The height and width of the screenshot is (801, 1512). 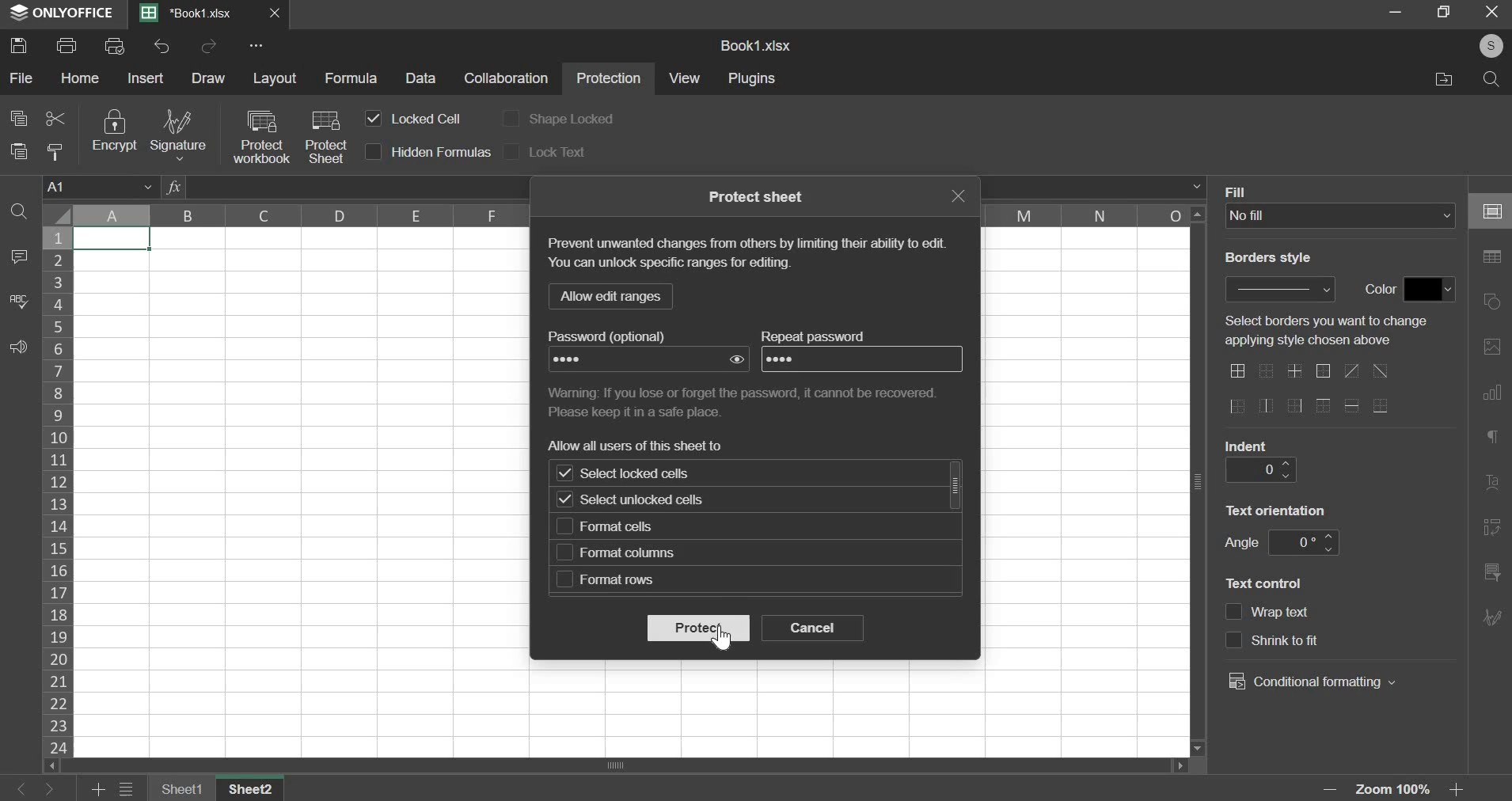 I want to click on cell name, so click(x=101, y=185).